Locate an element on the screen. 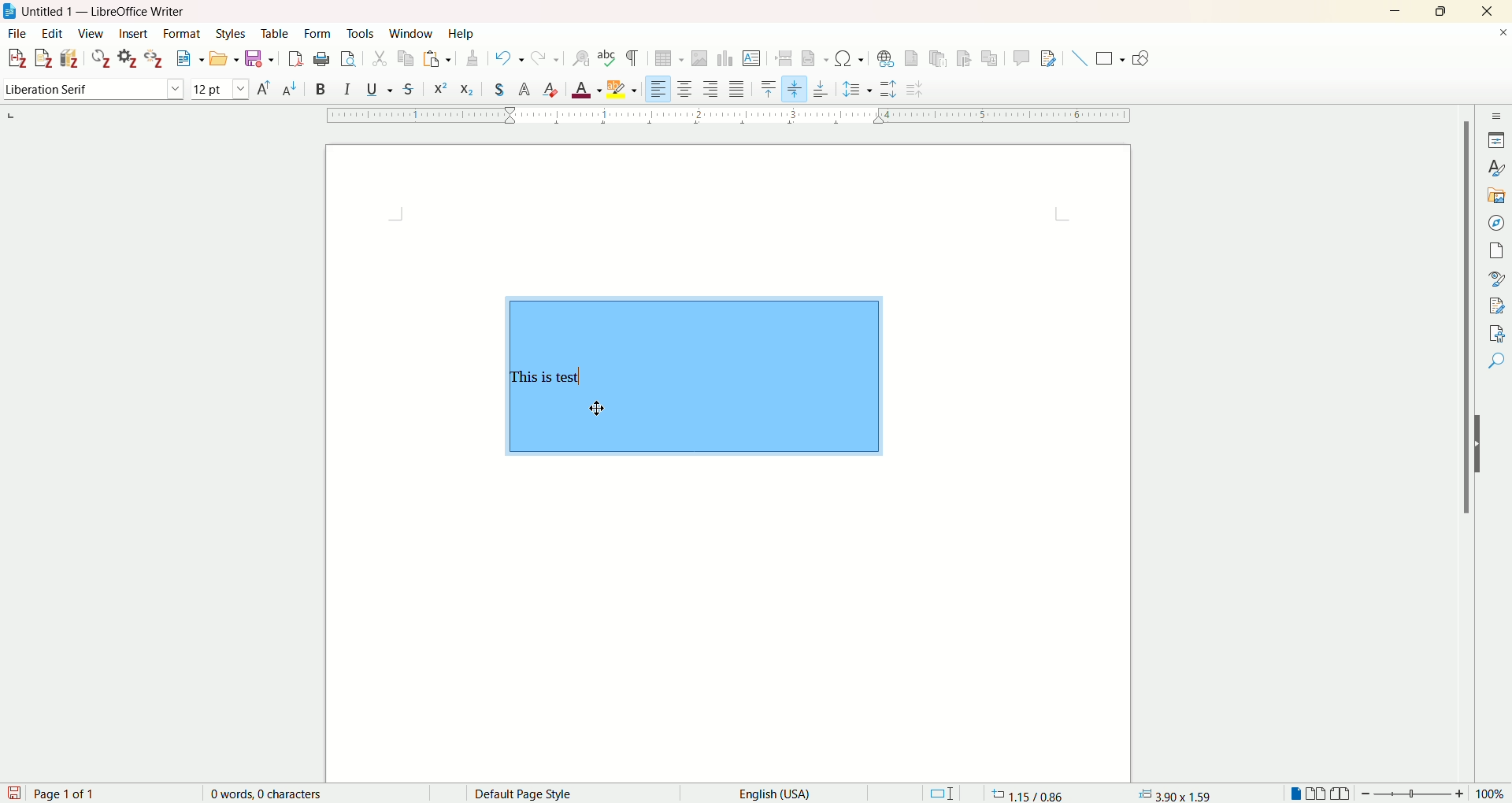 This screenshot has height=803, width=1512. hide is located at coordinates (1482, 443).